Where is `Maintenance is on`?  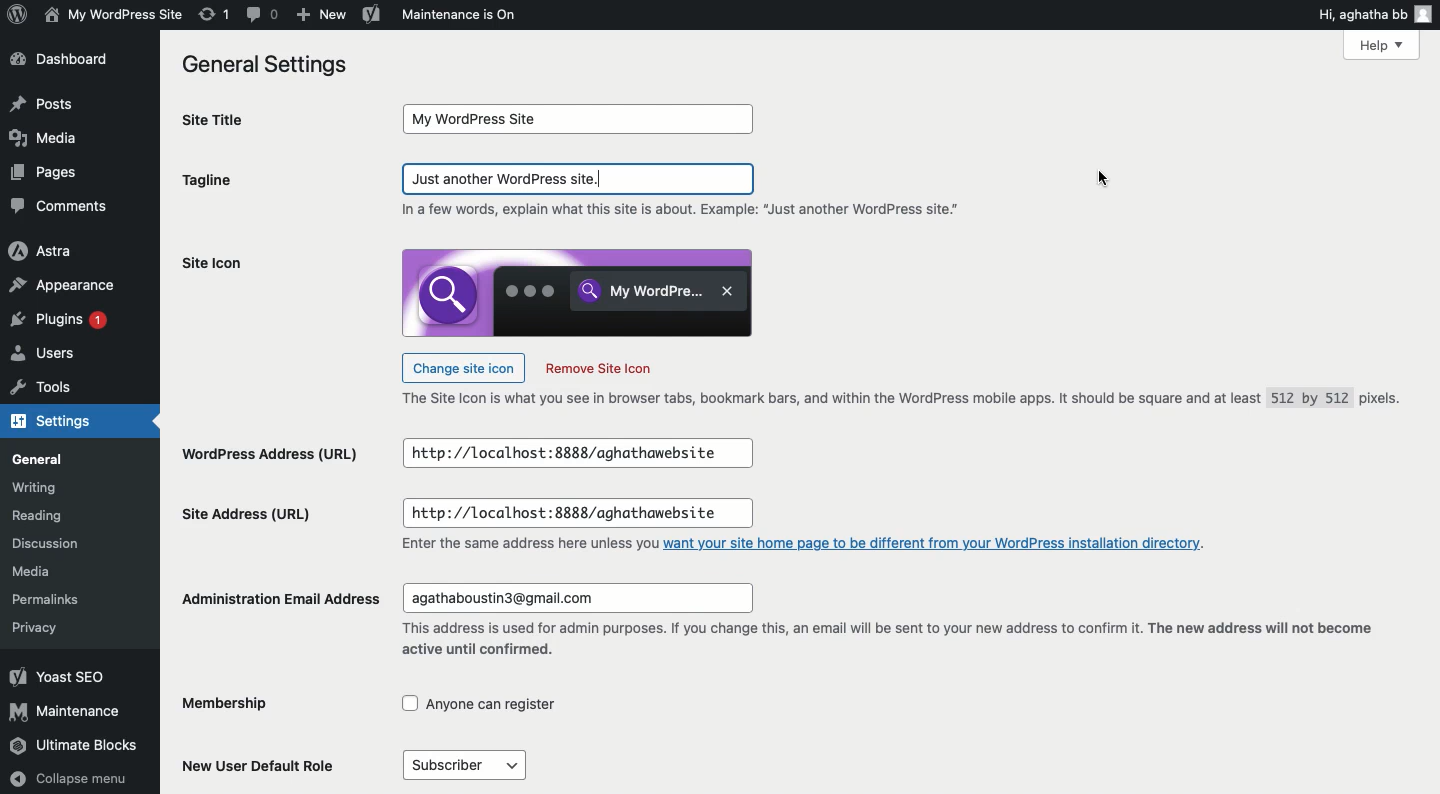 Maintenance is on is located at coordinates (459, 14).